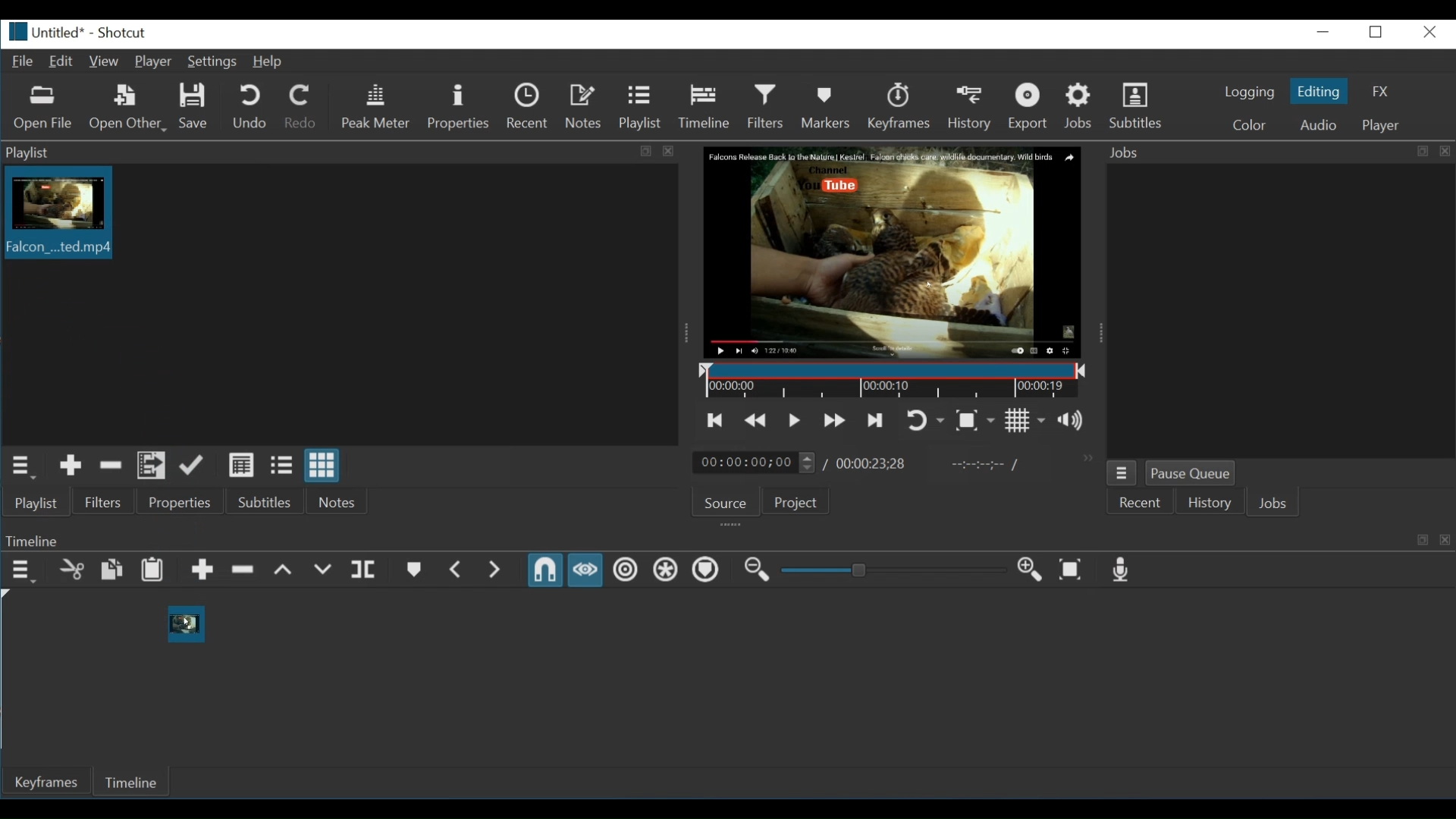 This screenshot has height=819, width=1456. Describe the element at coordinates (1138, 504) in the screenshot. I see `Recent` at that location.